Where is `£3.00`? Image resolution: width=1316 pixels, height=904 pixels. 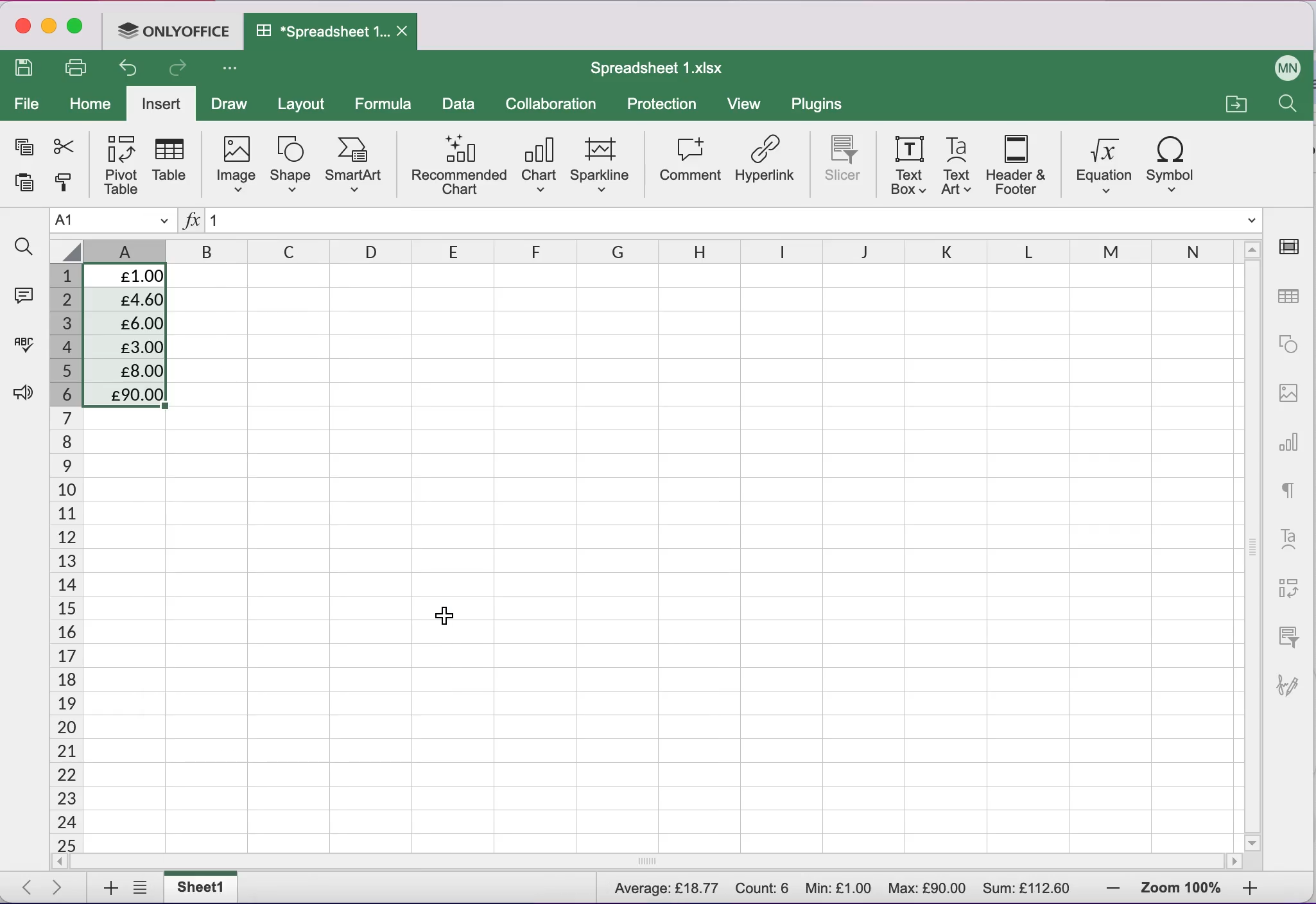
£3.00 is located at coordinates (134, 346).